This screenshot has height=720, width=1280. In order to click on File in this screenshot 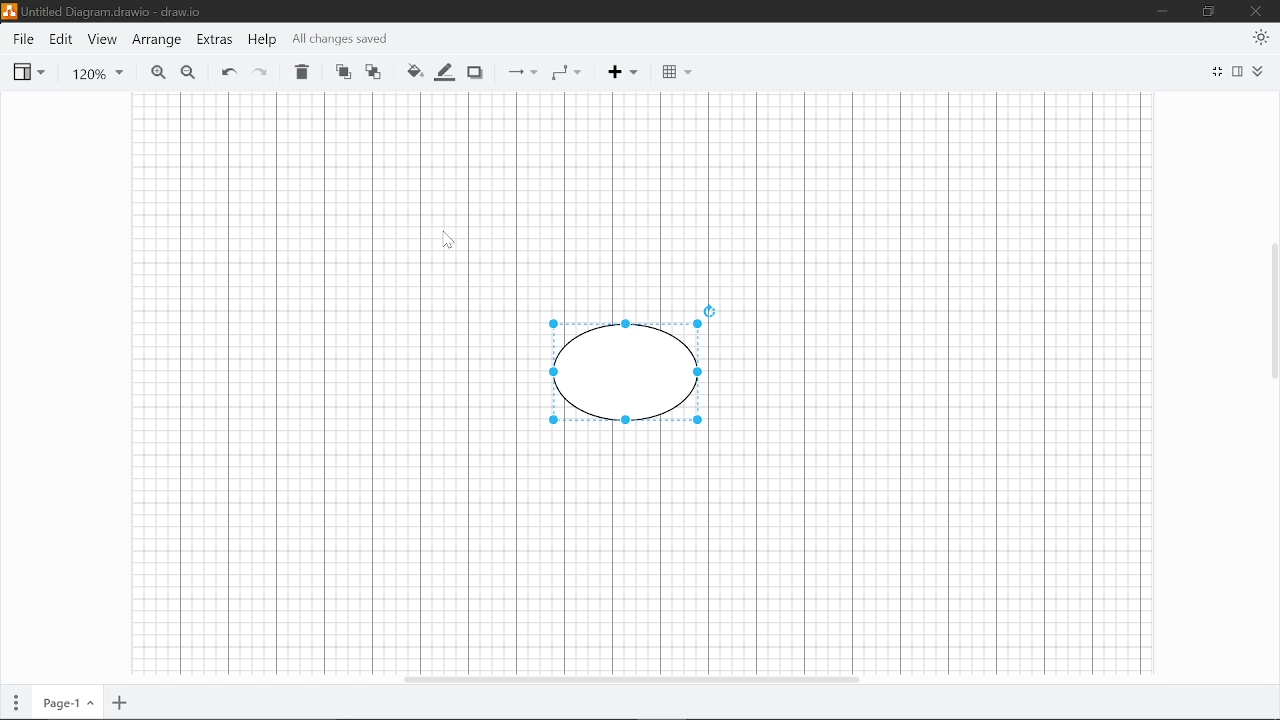, I will do `click(23, 39)`.